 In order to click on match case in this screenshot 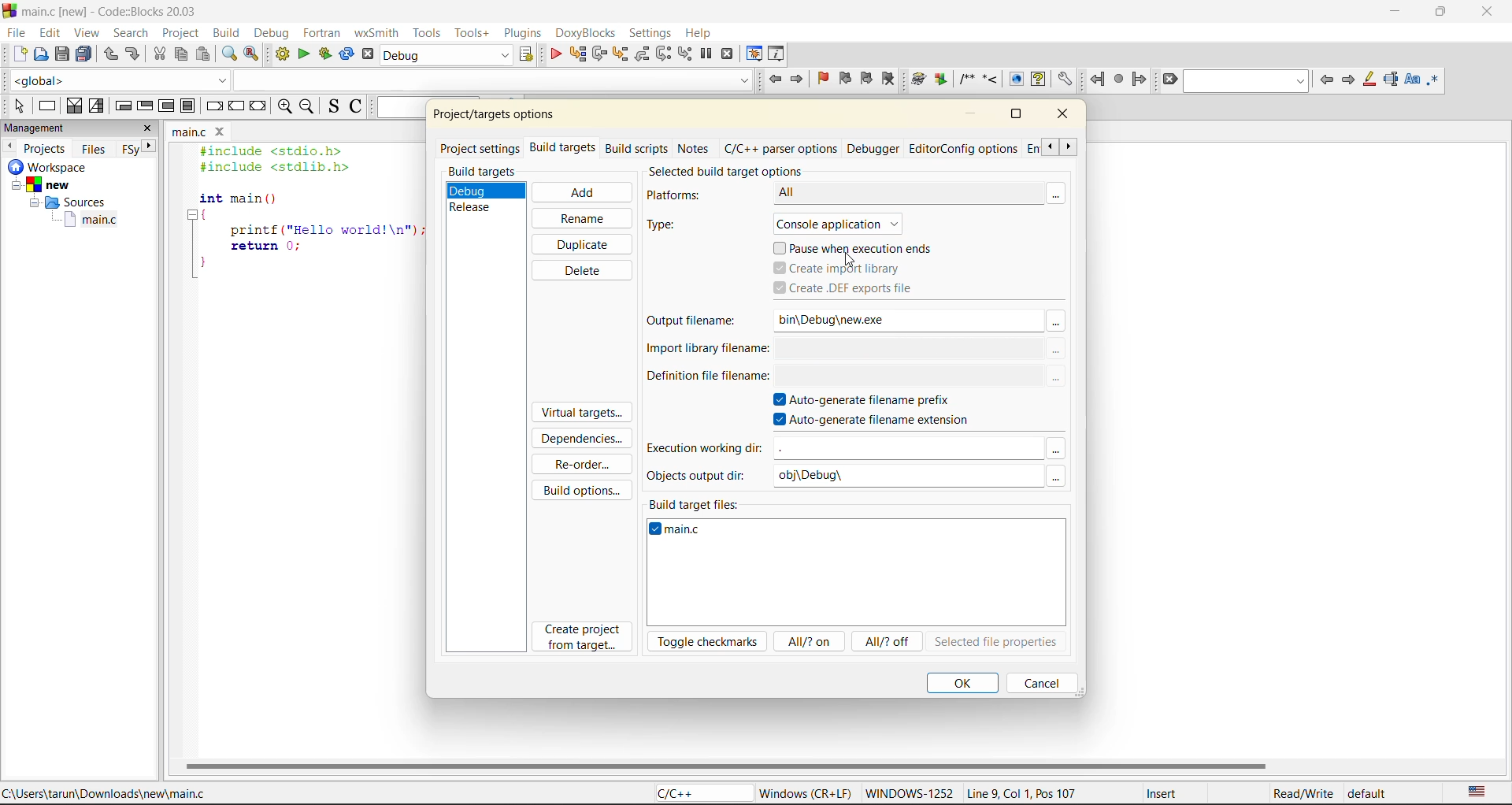, I will do `click(1413, 80)`.